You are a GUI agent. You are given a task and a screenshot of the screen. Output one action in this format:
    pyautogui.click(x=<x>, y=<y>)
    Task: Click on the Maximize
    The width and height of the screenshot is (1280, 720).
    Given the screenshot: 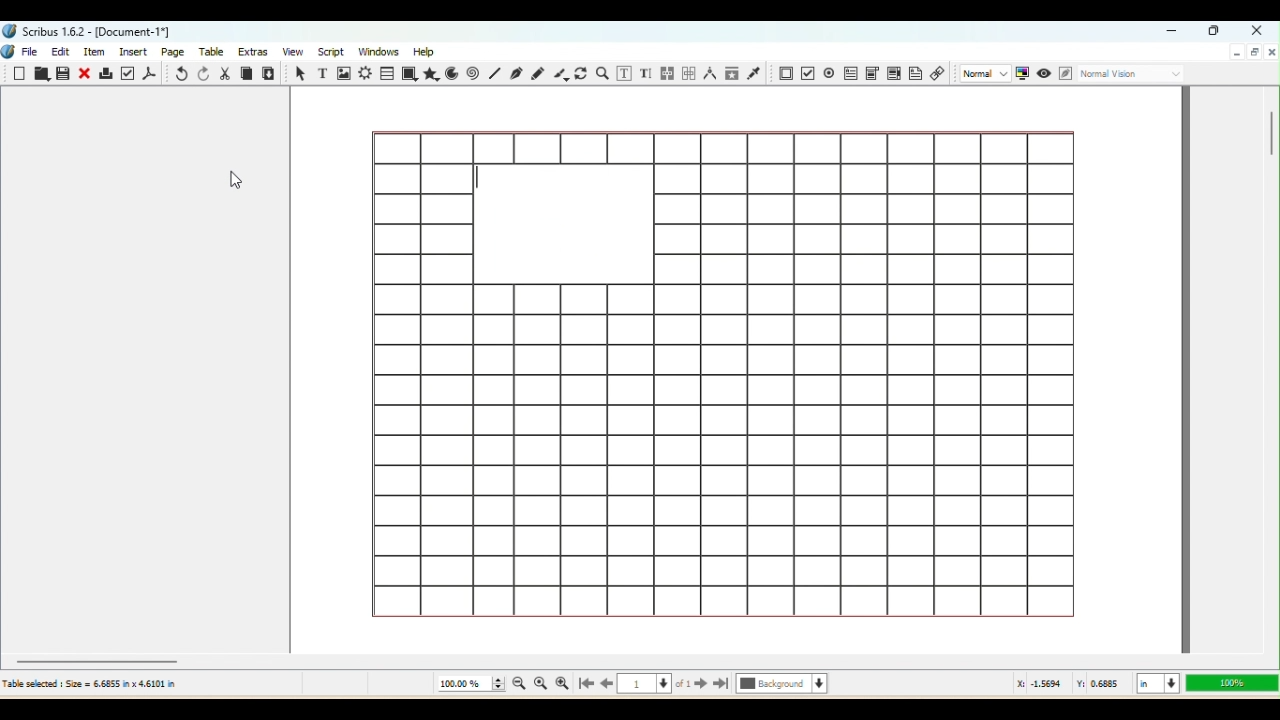 What is the action you would take?
    pyautogui.click(x=1216, y=32)
    